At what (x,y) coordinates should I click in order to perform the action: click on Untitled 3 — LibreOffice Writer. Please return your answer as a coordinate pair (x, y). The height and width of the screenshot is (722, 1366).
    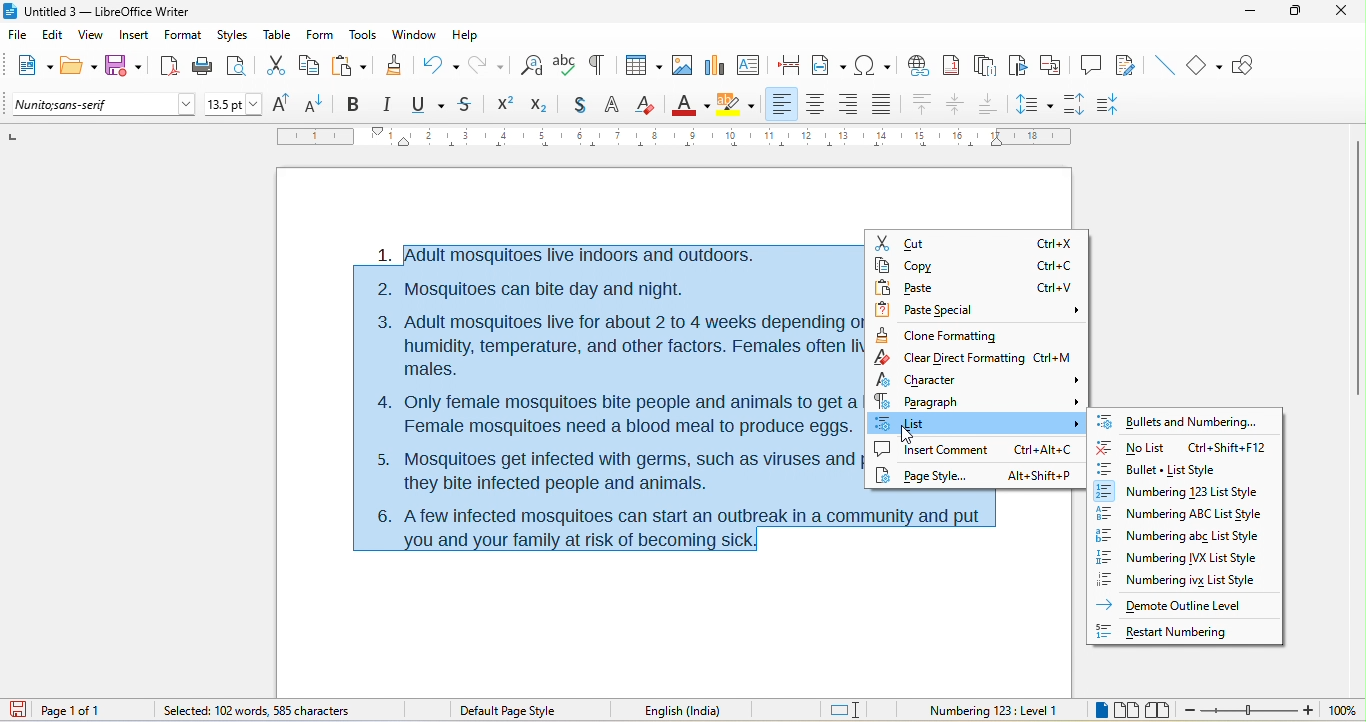
    Looking at the image, I should click on (105, 11).